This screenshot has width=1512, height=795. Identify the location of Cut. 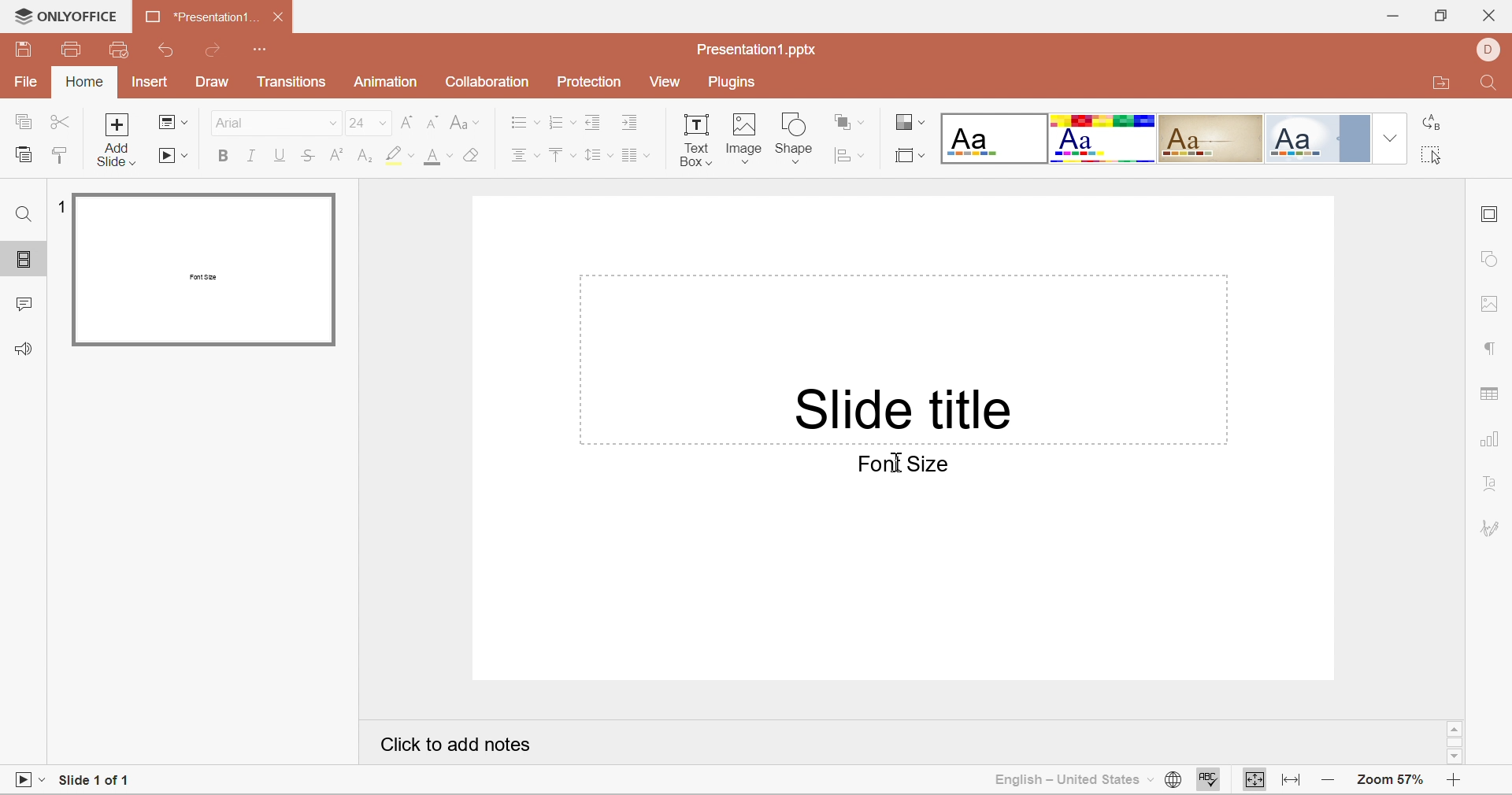
(62, 124).